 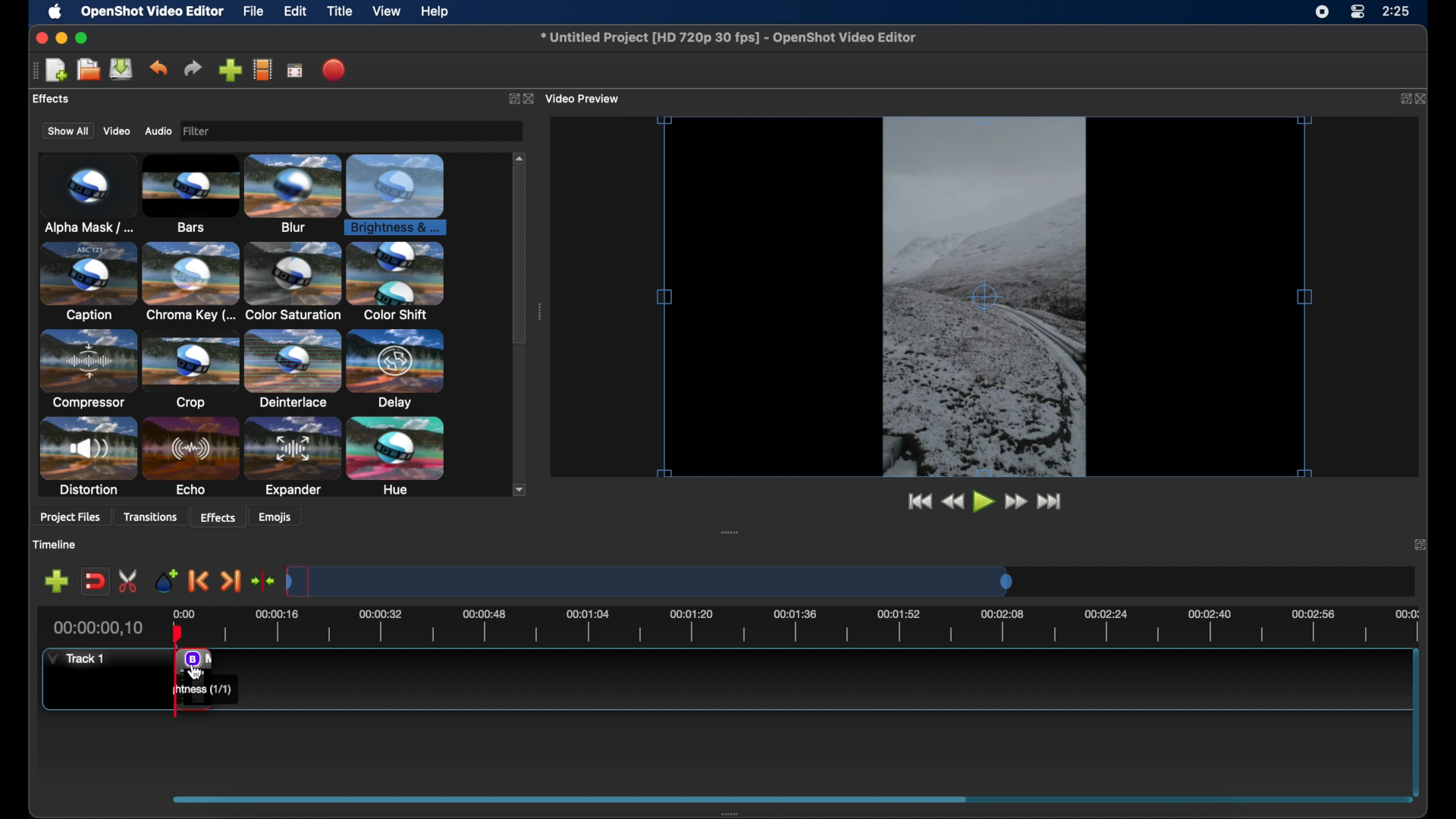 I want to click on echo, so click(x=191, y=457).